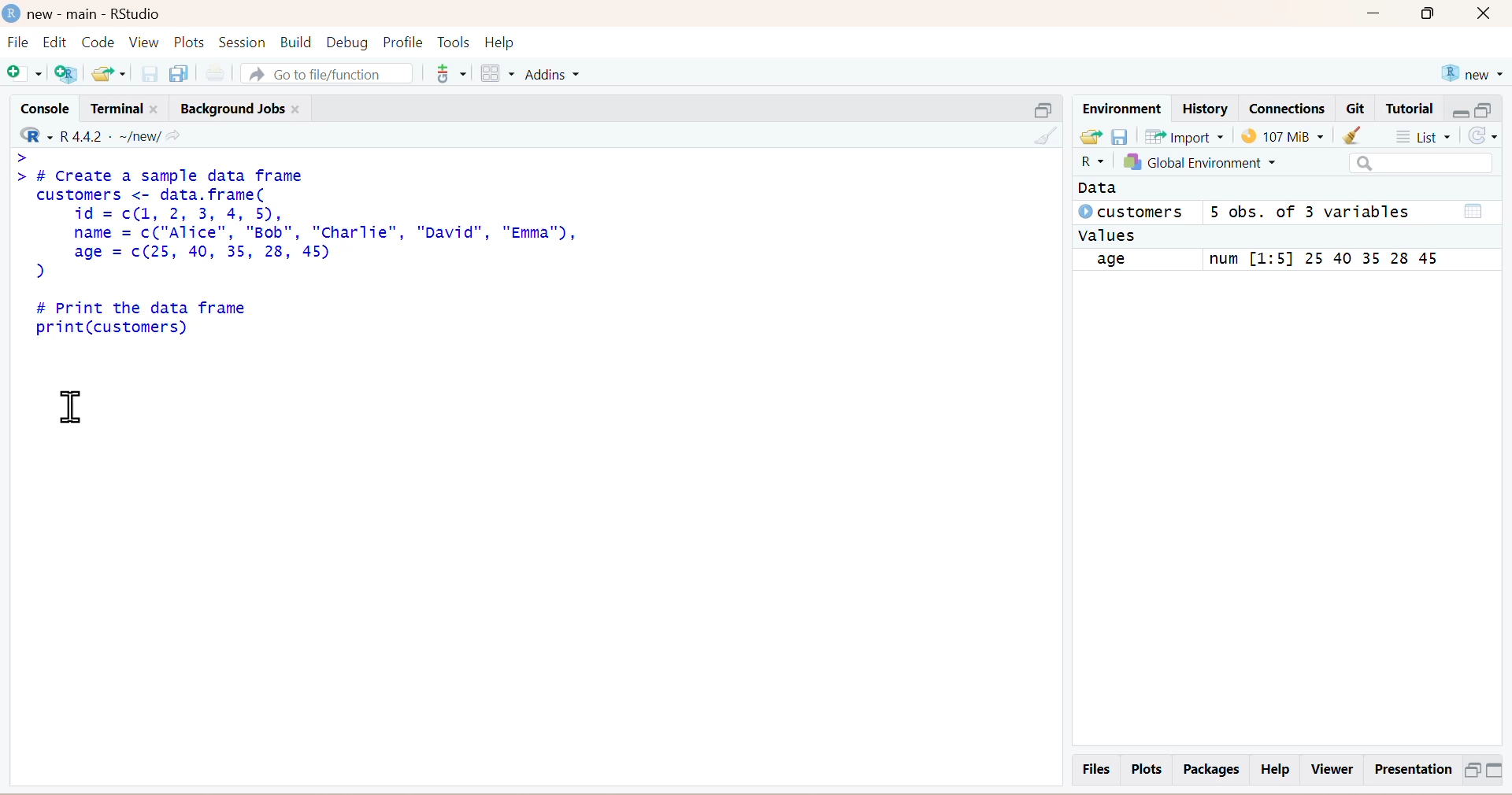 This screenshot has width=1512, height=795. Describe the element at coordinates (1434, 17) in the screenshot. I see `Maximize` at that location.